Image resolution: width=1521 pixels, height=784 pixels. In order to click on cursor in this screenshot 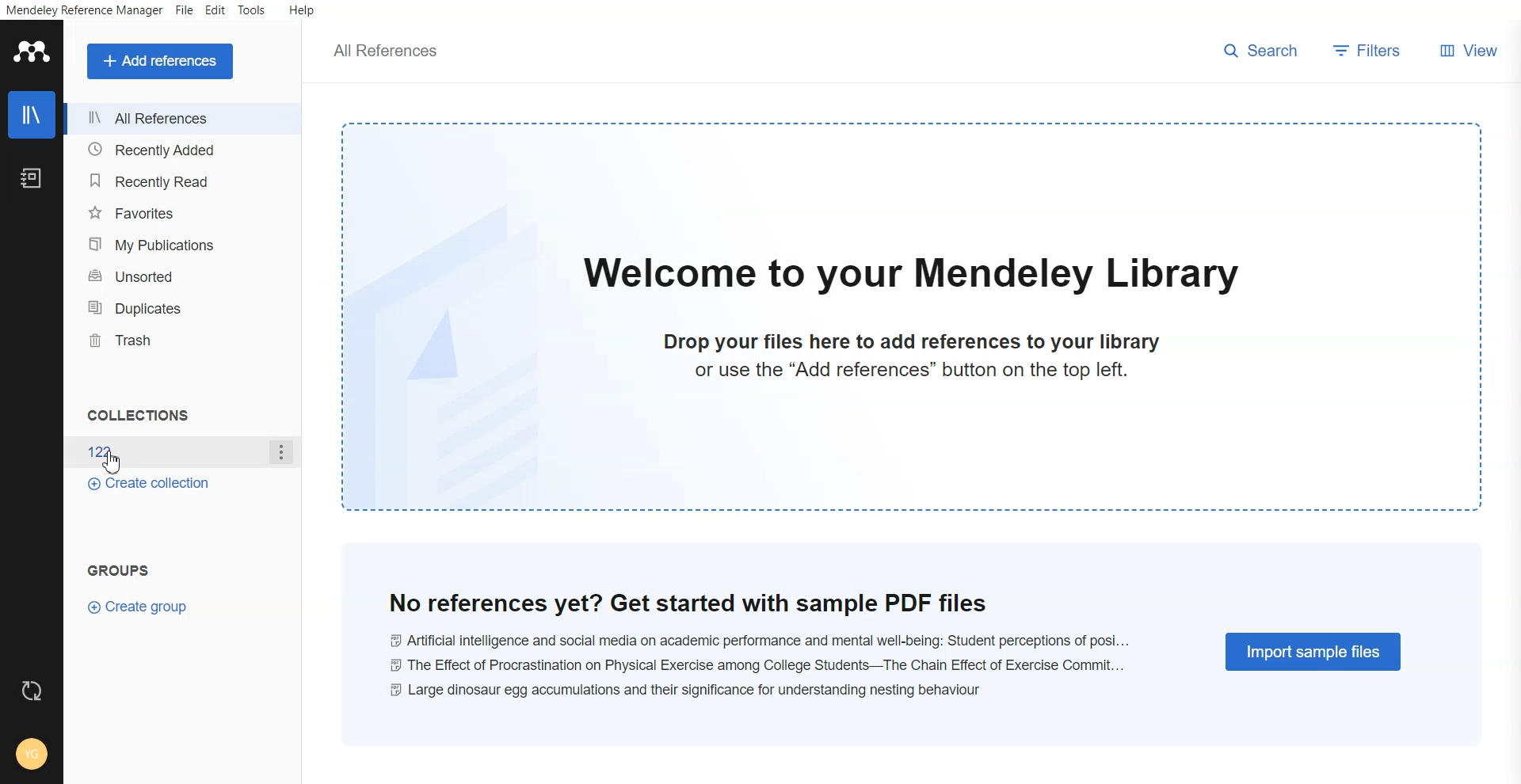, I will do `click(114, 464)`.